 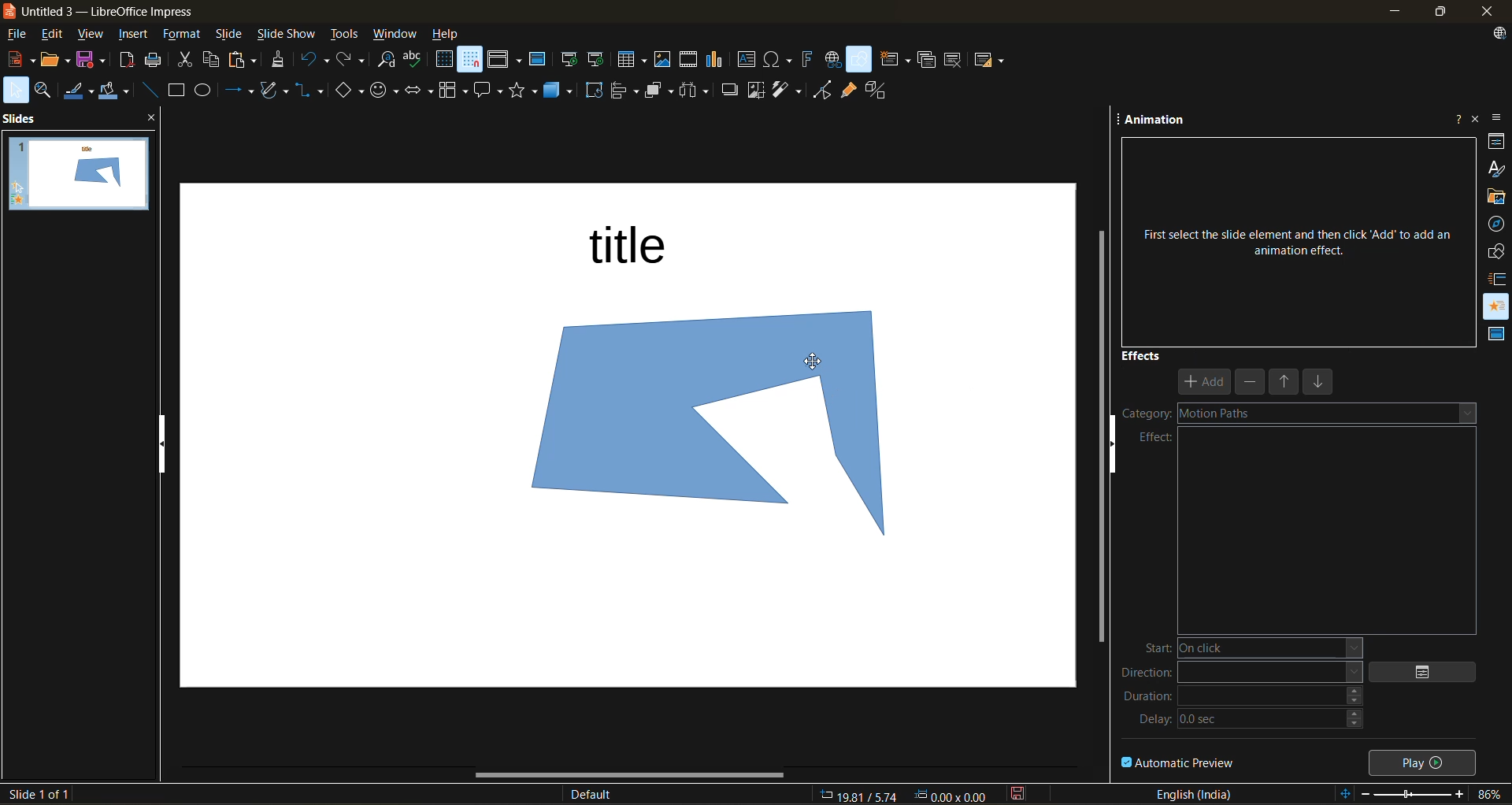 I want to click on 3d objects, so click(x=561, y=91).